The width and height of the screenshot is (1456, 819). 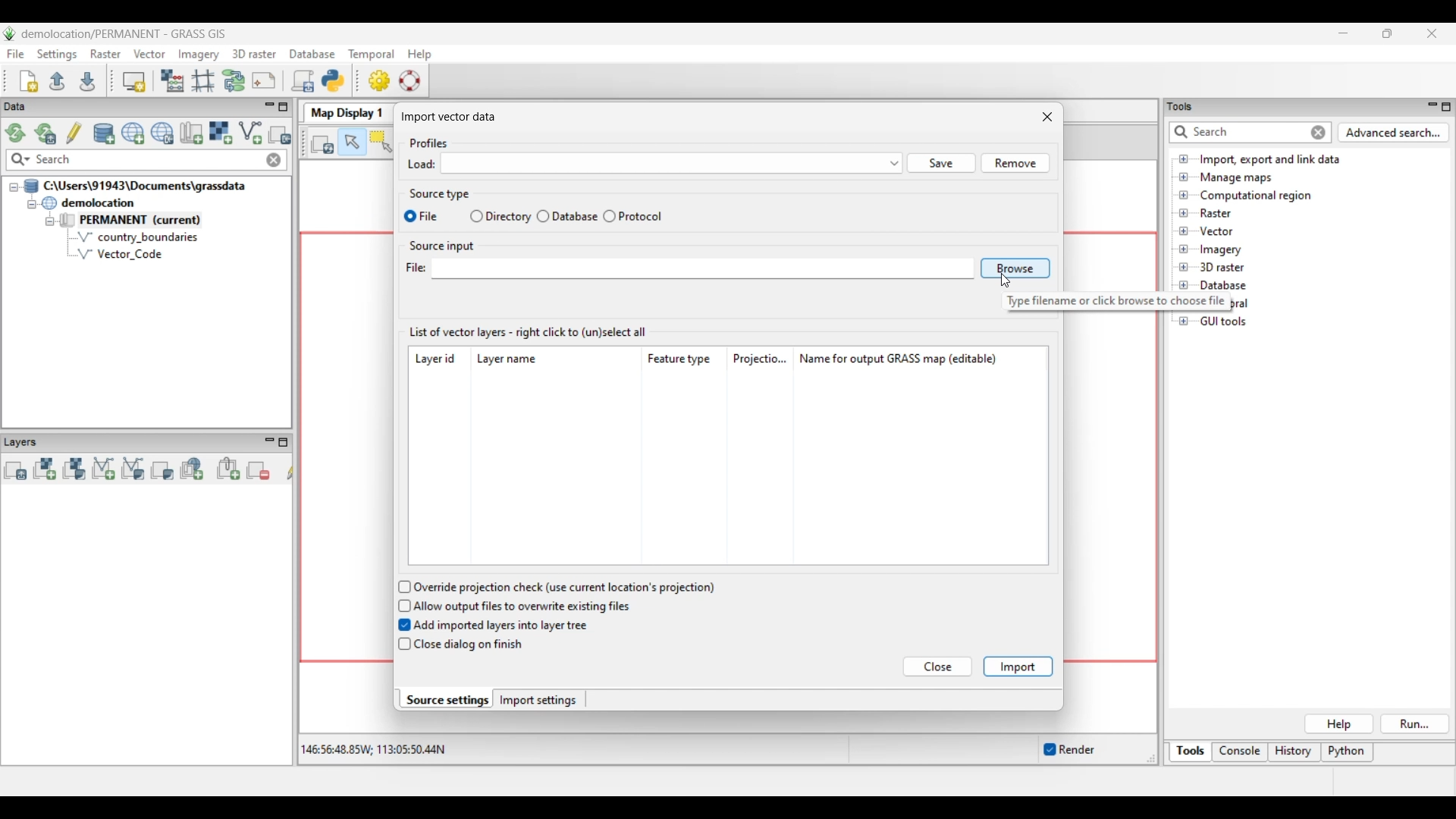 I want to click on Enable/Disable auto-rendering, so click(x=1068, y=750).